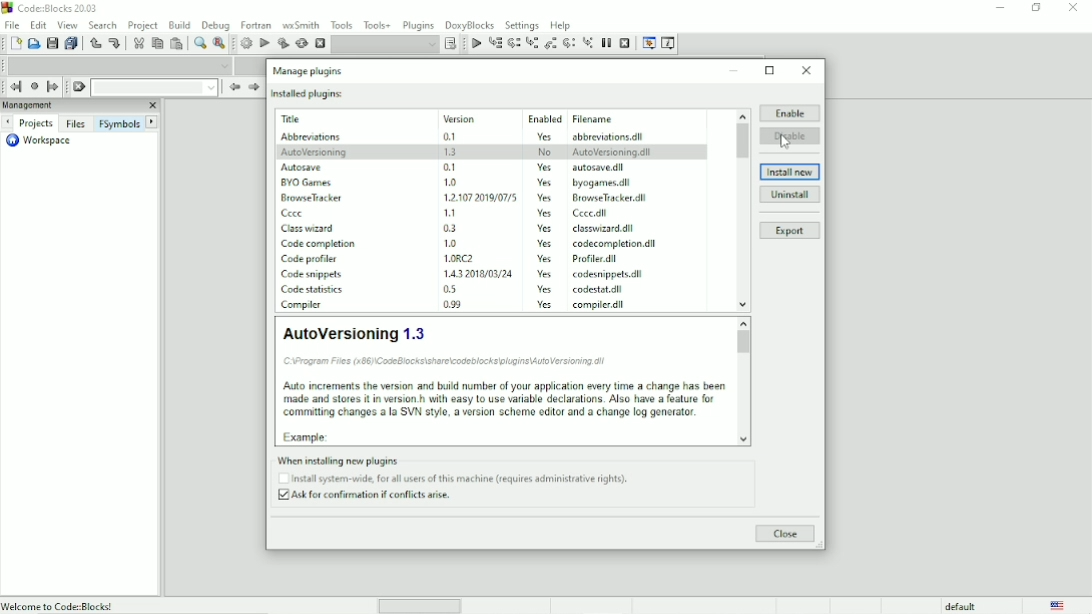 This screenshot has width=1092, height=614. What do you see at coordinates (1059, 606) in the screenshot?
I see `Language` at bounding box center [1059, 606].